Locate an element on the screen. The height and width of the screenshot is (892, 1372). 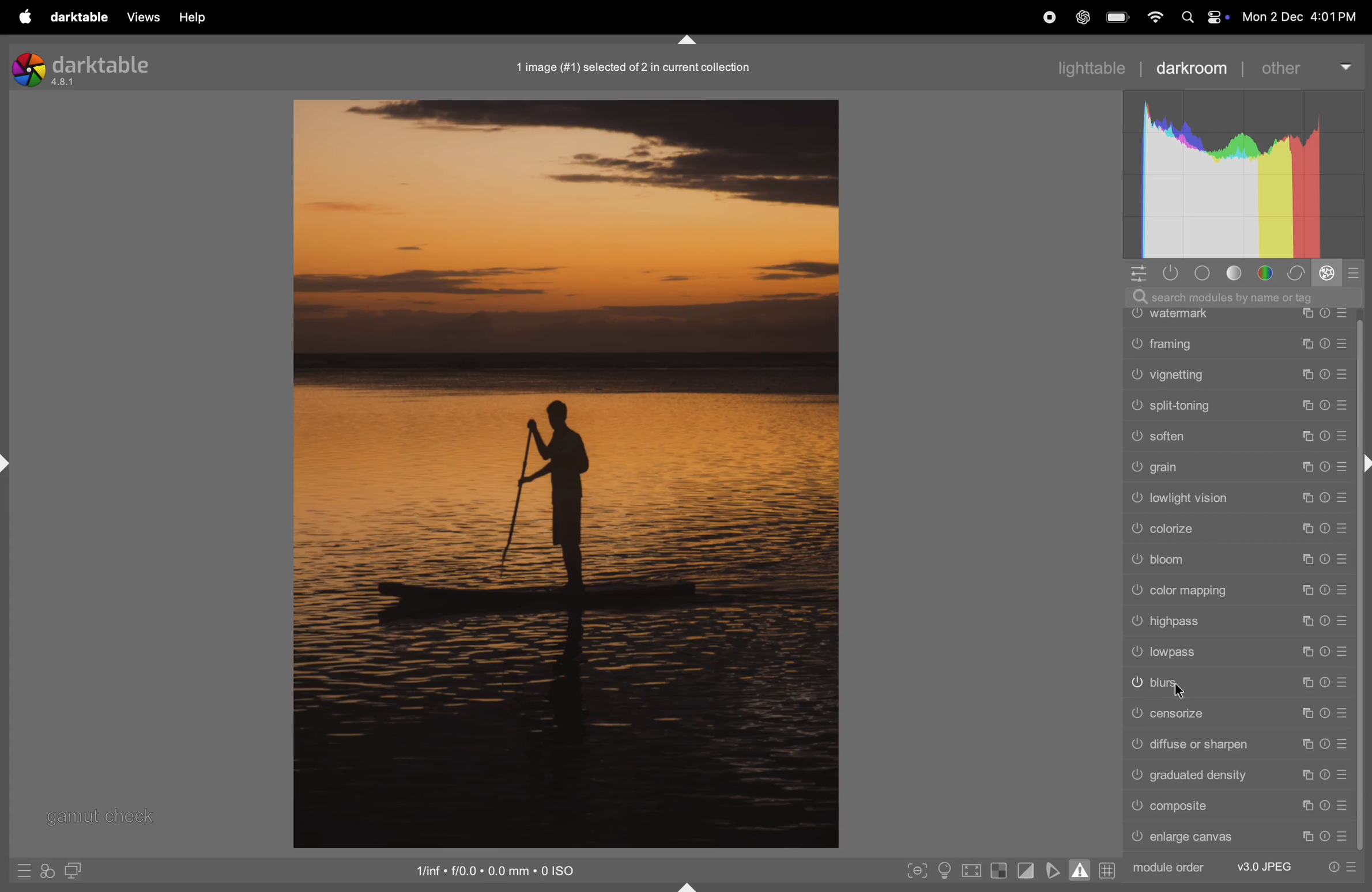
quick acess to panel is located at coordinates (1136, 275).